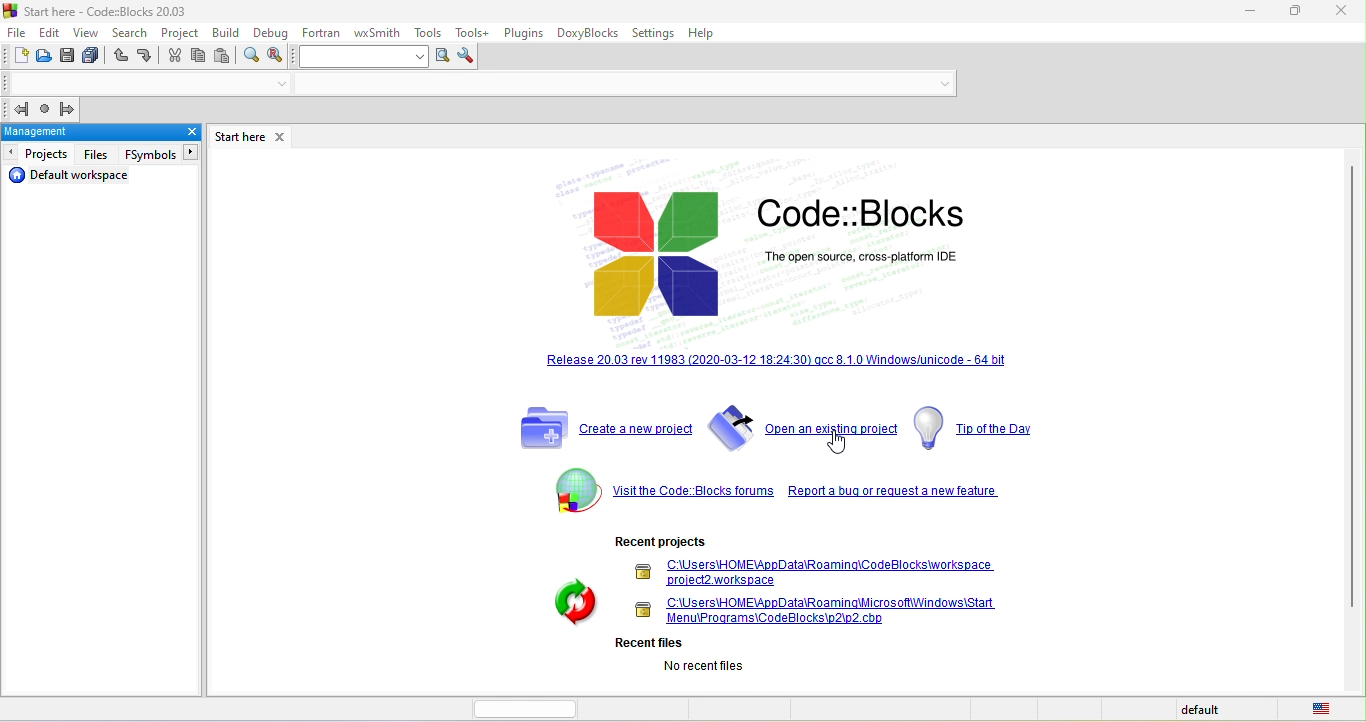 Image resolution: width=1366 pixels, height=722 pixels. What do you see at coordinates (896, 491) in the screenshot?
I see `report a bug or request a new feature` at bounding box center [896, 491].